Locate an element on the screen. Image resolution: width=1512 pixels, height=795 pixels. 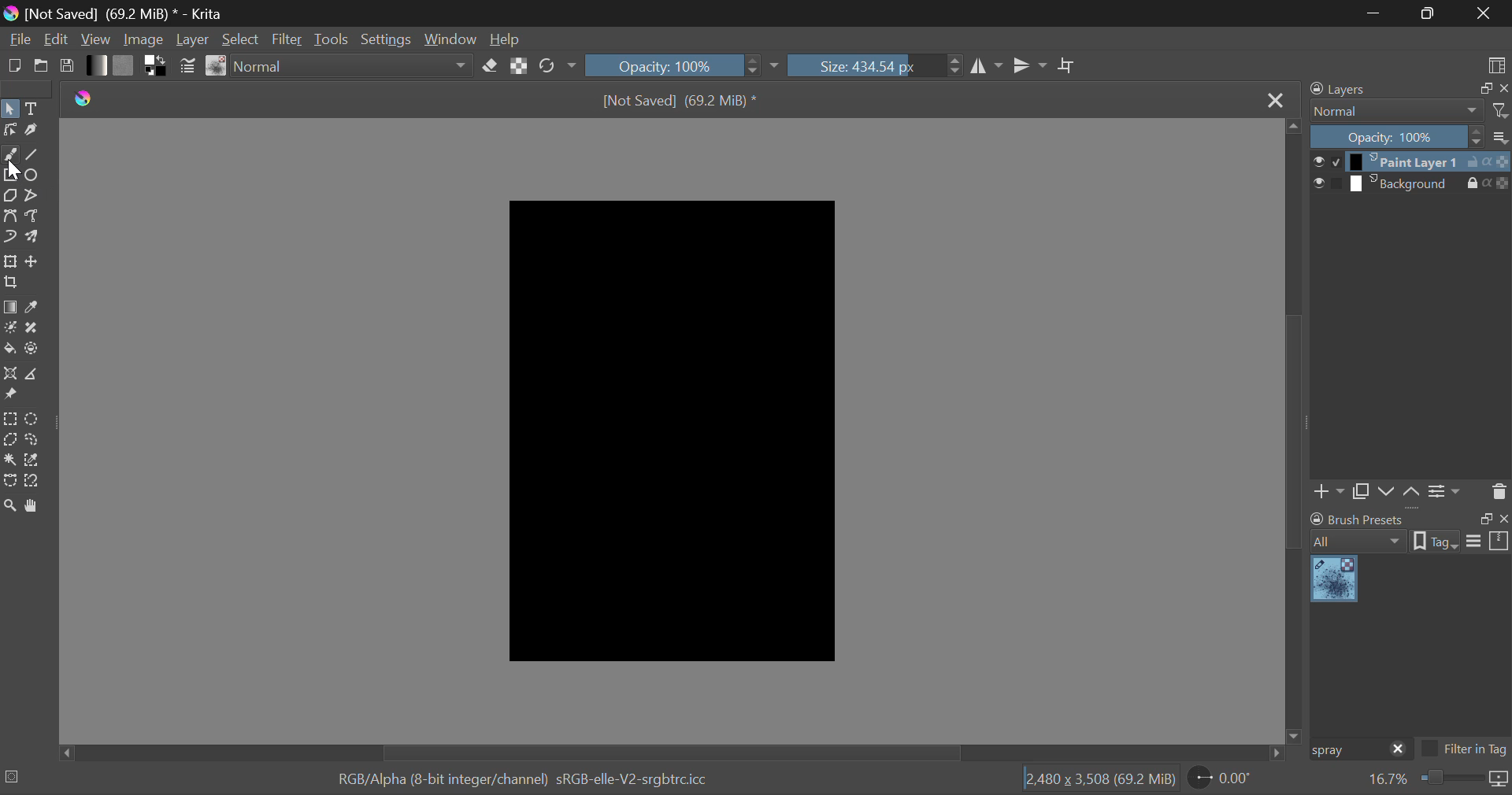
Window is located at coordinates (453, 38).